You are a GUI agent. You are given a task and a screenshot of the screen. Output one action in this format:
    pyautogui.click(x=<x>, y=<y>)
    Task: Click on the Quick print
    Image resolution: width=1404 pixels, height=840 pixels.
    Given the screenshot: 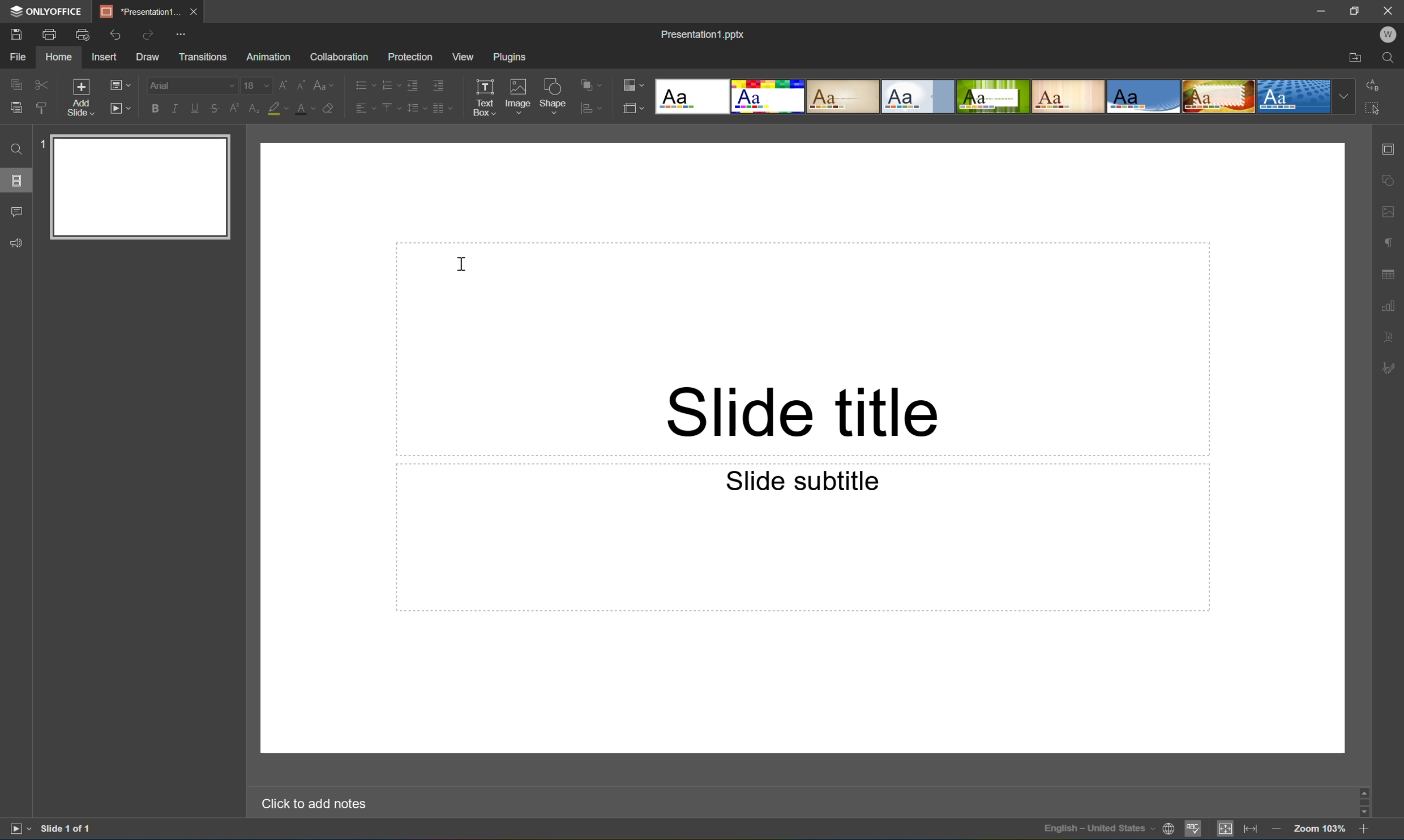 What is the action you would take?
    pyautogui.click(x=84, y=35)
    